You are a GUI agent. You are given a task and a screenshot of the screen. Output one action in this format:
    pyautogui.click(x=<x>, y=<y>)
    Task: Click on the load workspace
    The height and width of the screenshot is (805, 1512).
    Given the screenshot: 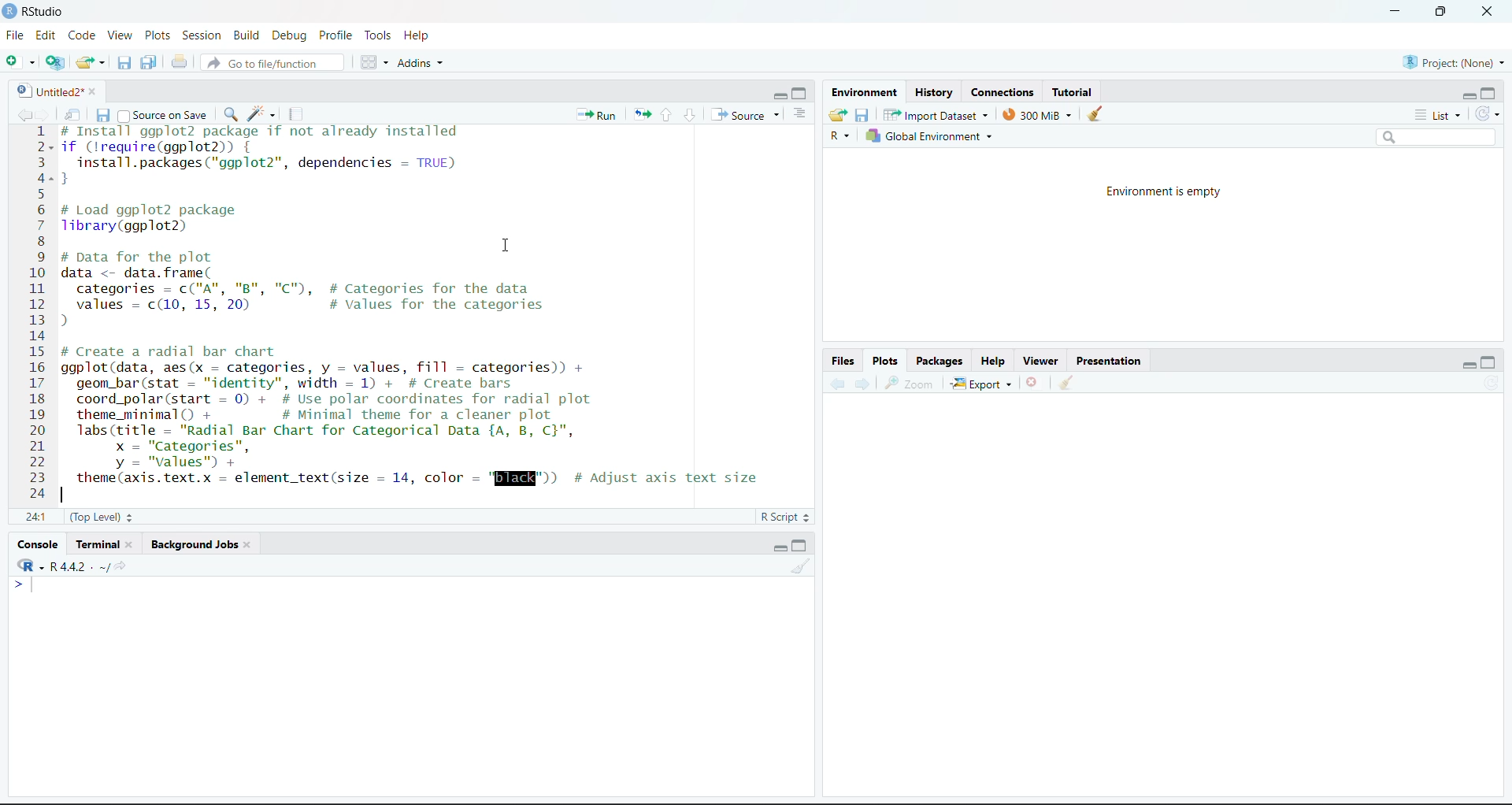 What is the action you would take?
    pyautogui.click(x=838, y=114)
    